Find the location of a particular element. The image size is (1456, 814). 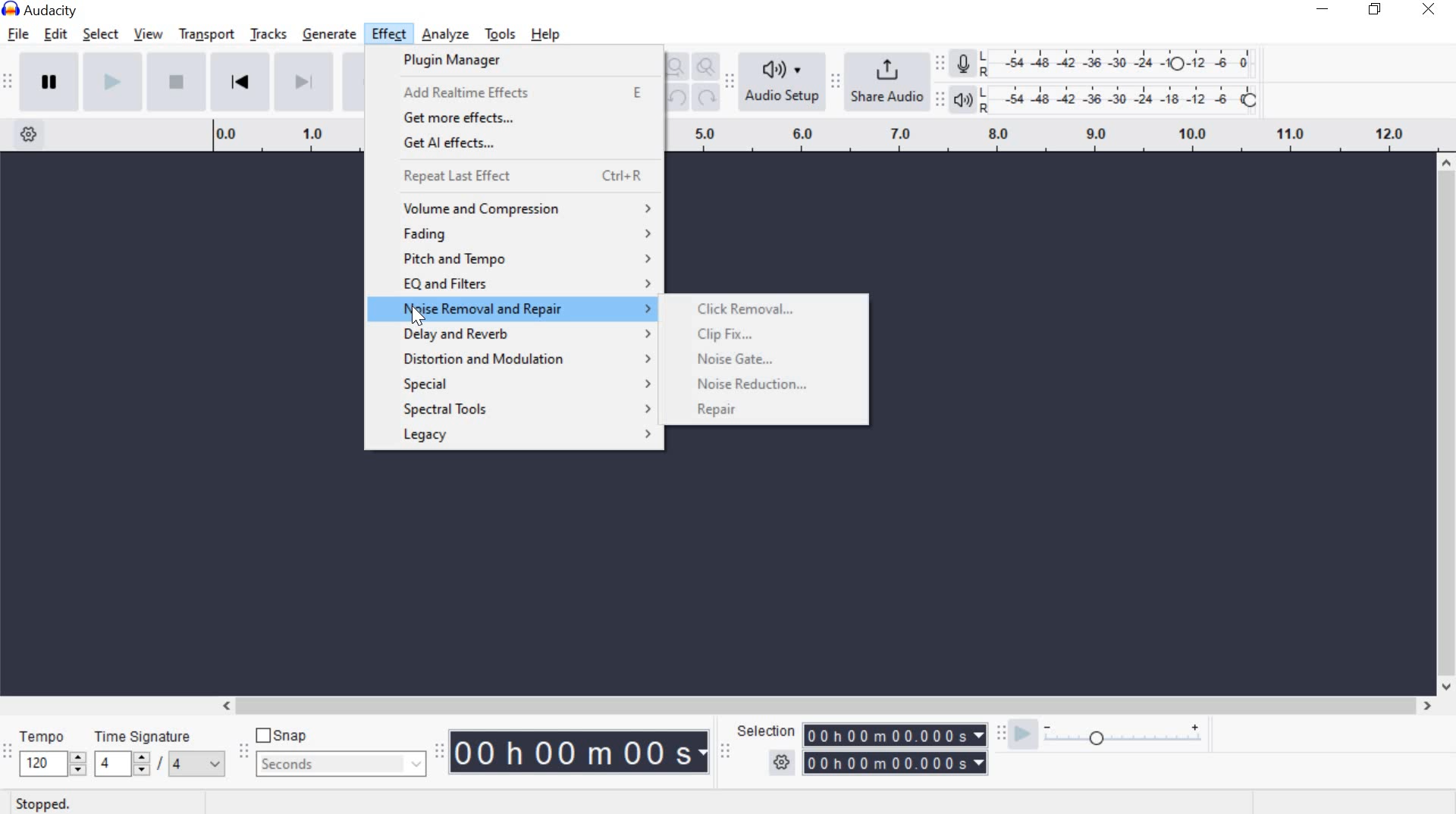

add Realtime effects is located at coordinates (524, 92).